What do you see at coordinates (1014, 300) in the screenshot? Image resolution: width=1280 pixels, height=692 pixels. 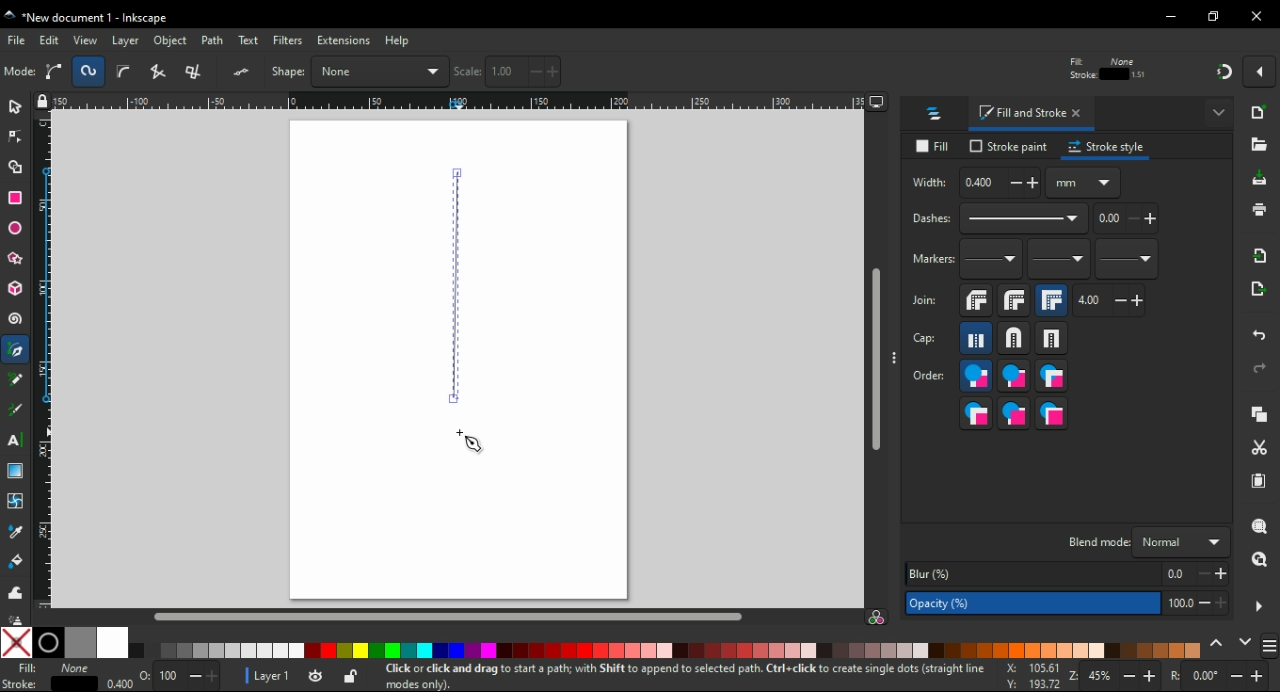 I see `round` at bounding box center [1014, 300].